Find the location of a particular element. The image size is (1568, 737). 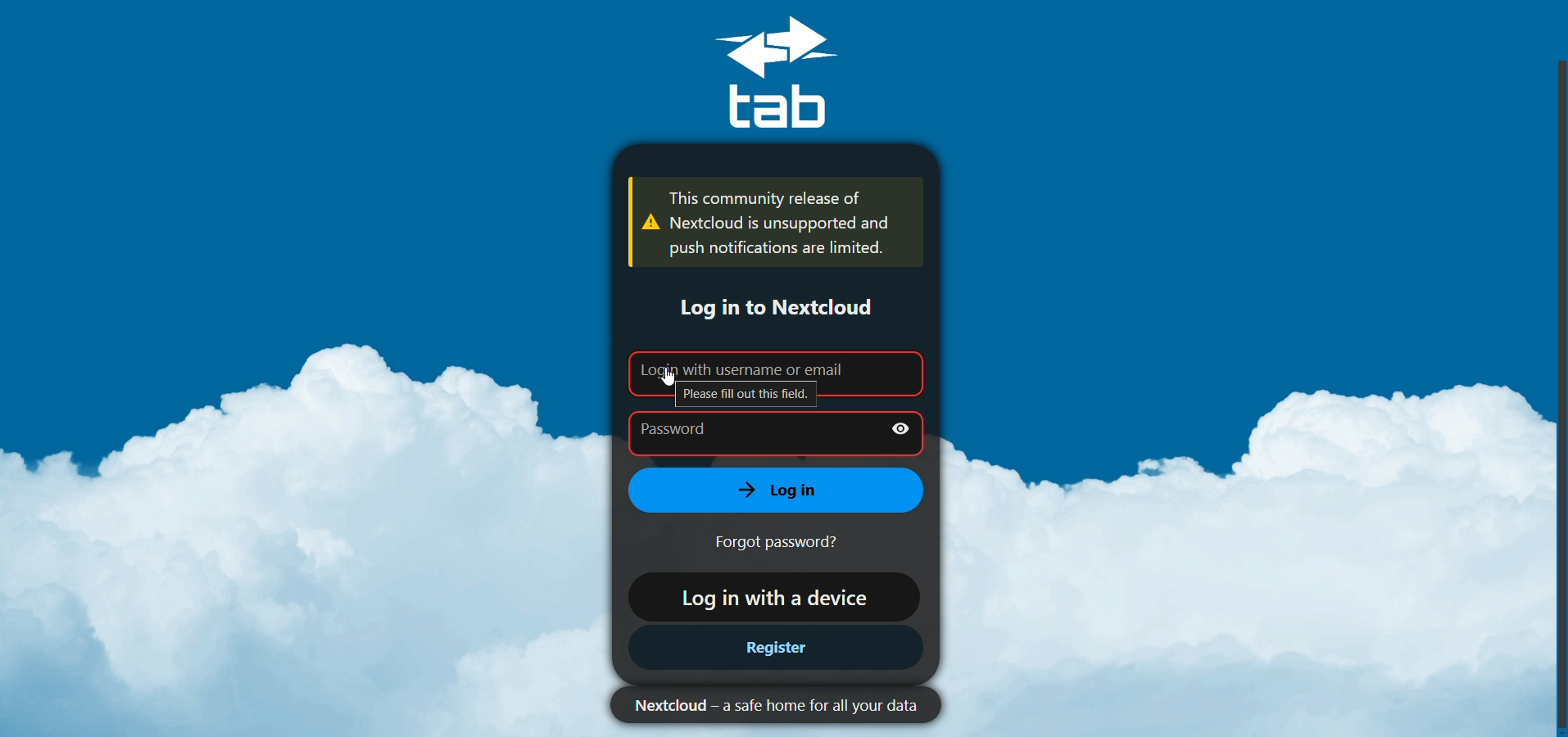

Scroll bar is located at coordinates (1549, 391).